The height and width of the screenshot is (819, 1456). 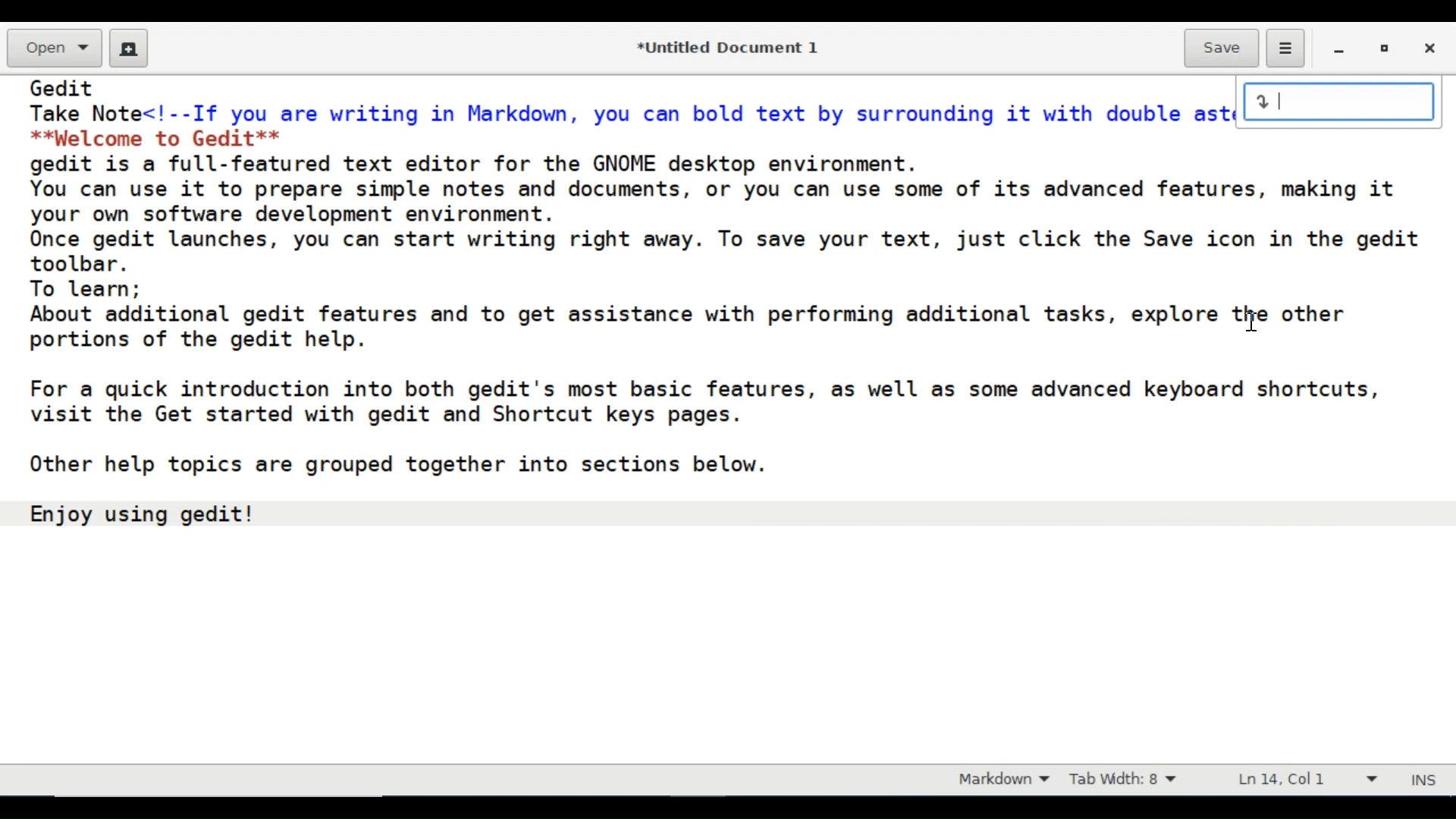 What do you see at coordinates (726, 201) in the screenshot?
I see `You can use it to prepare simple notes and documents, or you can use some of its advanced features, making it
your own software development environment.` at bounding box center [726, 201].